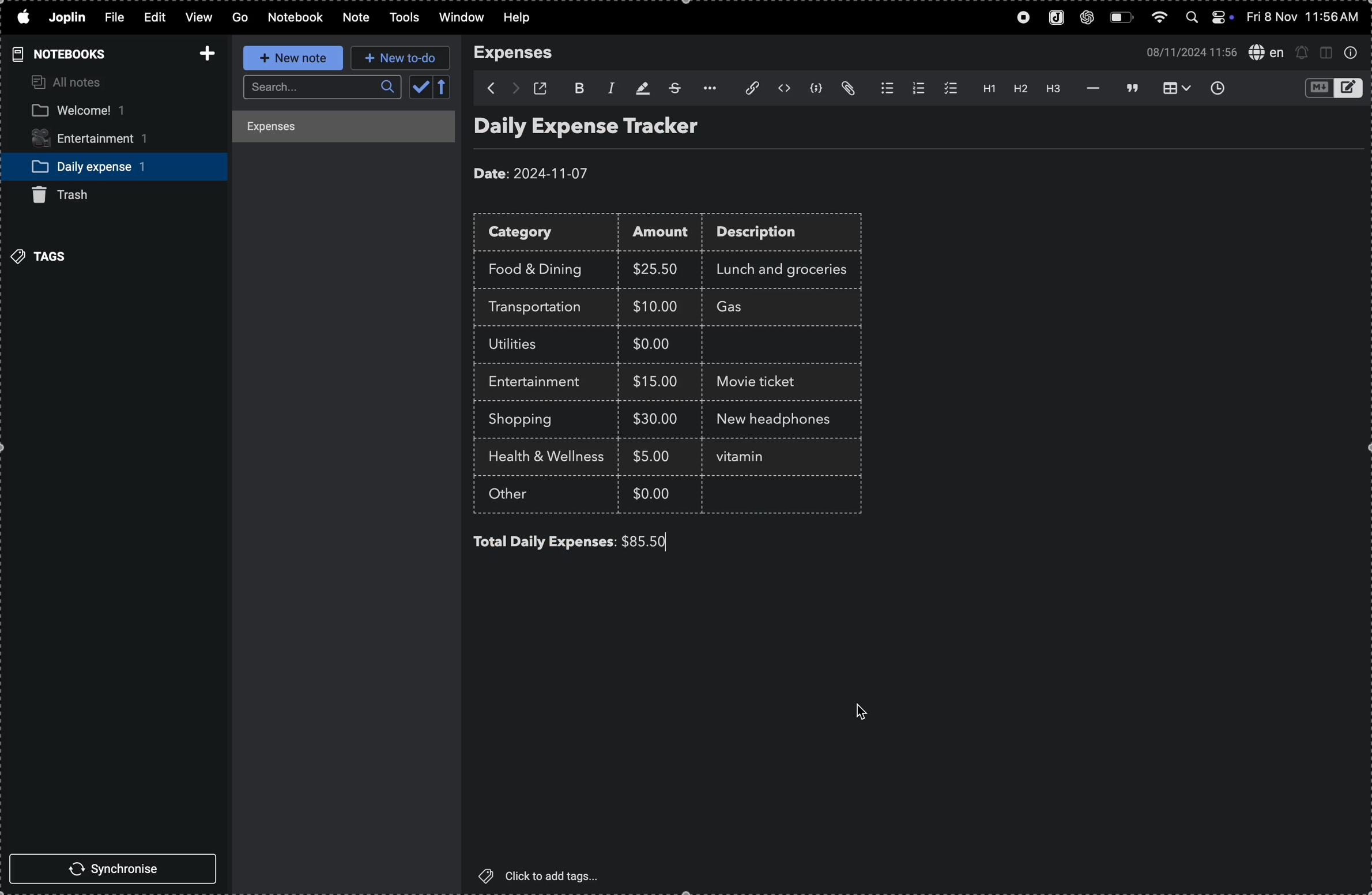 Image resolution: width=1372 pixels, height=895 pixels. Describe the element at coordinates (608, 87) in the screenshot. I see `italic` at that location.